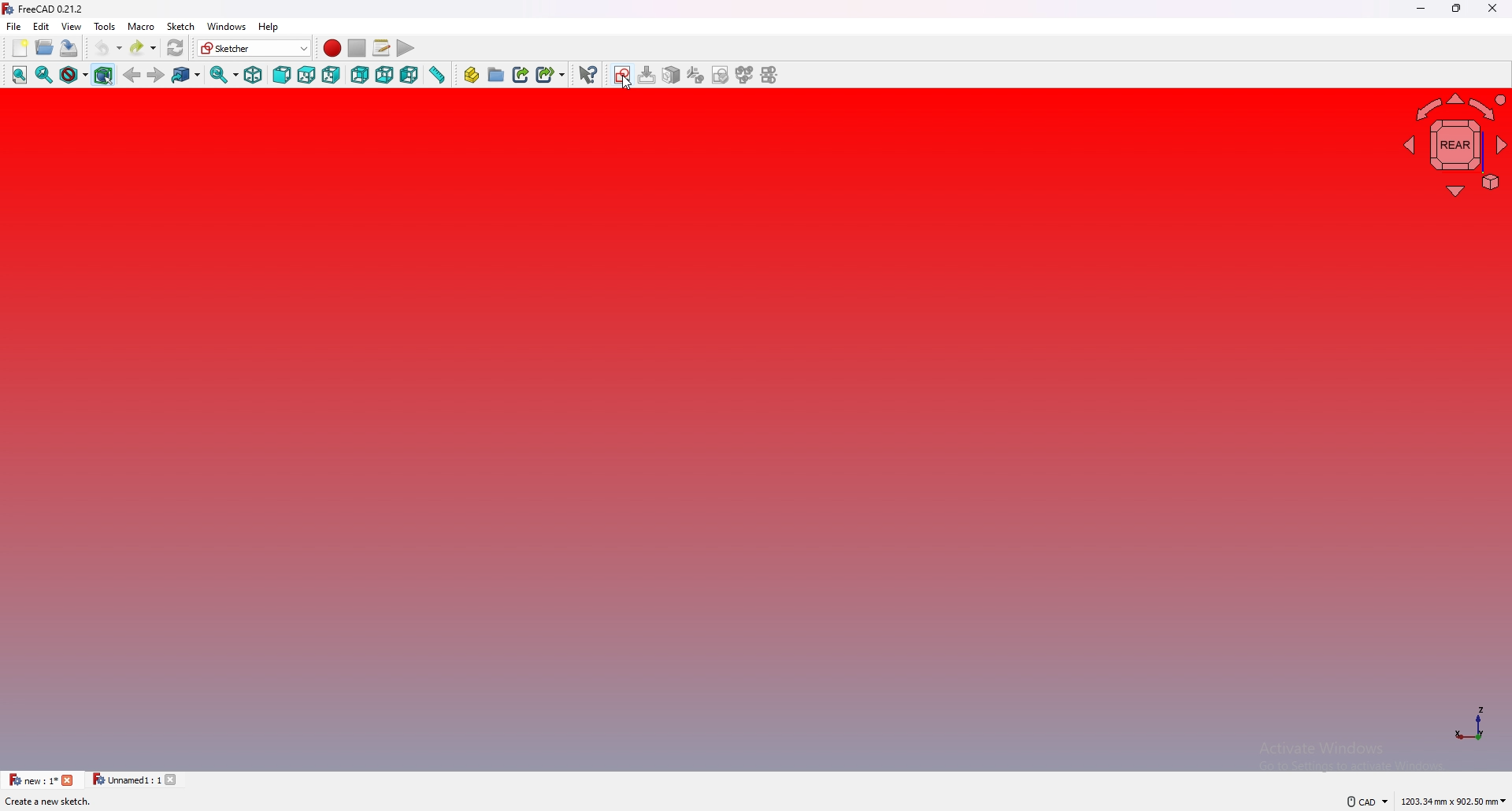 This screenshot has height=811, width=1512. Describe the element at coordinates (73, 74) in the screenshot. I see `draw style` at that location.